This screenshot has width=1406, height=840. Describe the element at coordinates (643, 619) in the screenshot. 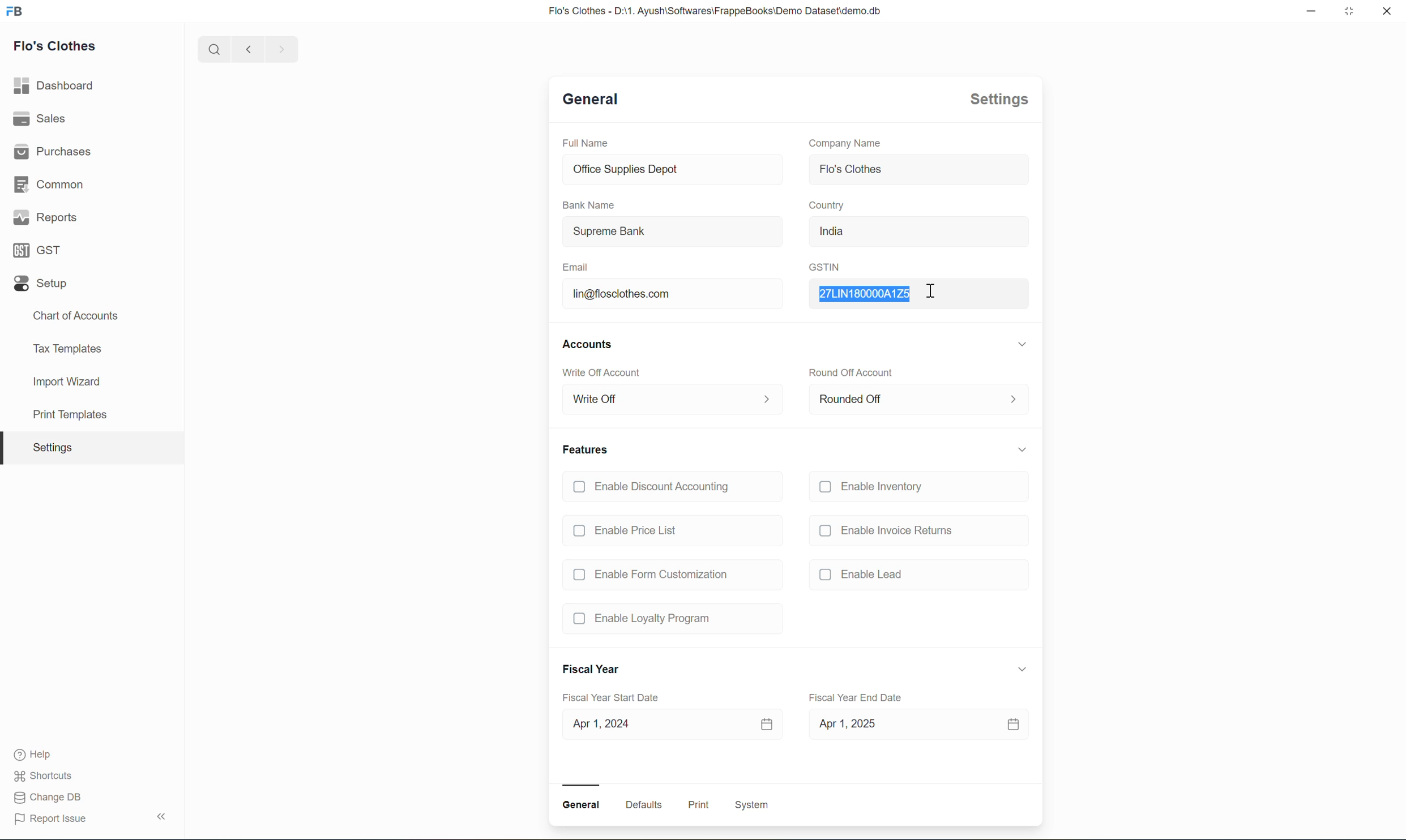

I see `Enable Loyalty Program` at that location.